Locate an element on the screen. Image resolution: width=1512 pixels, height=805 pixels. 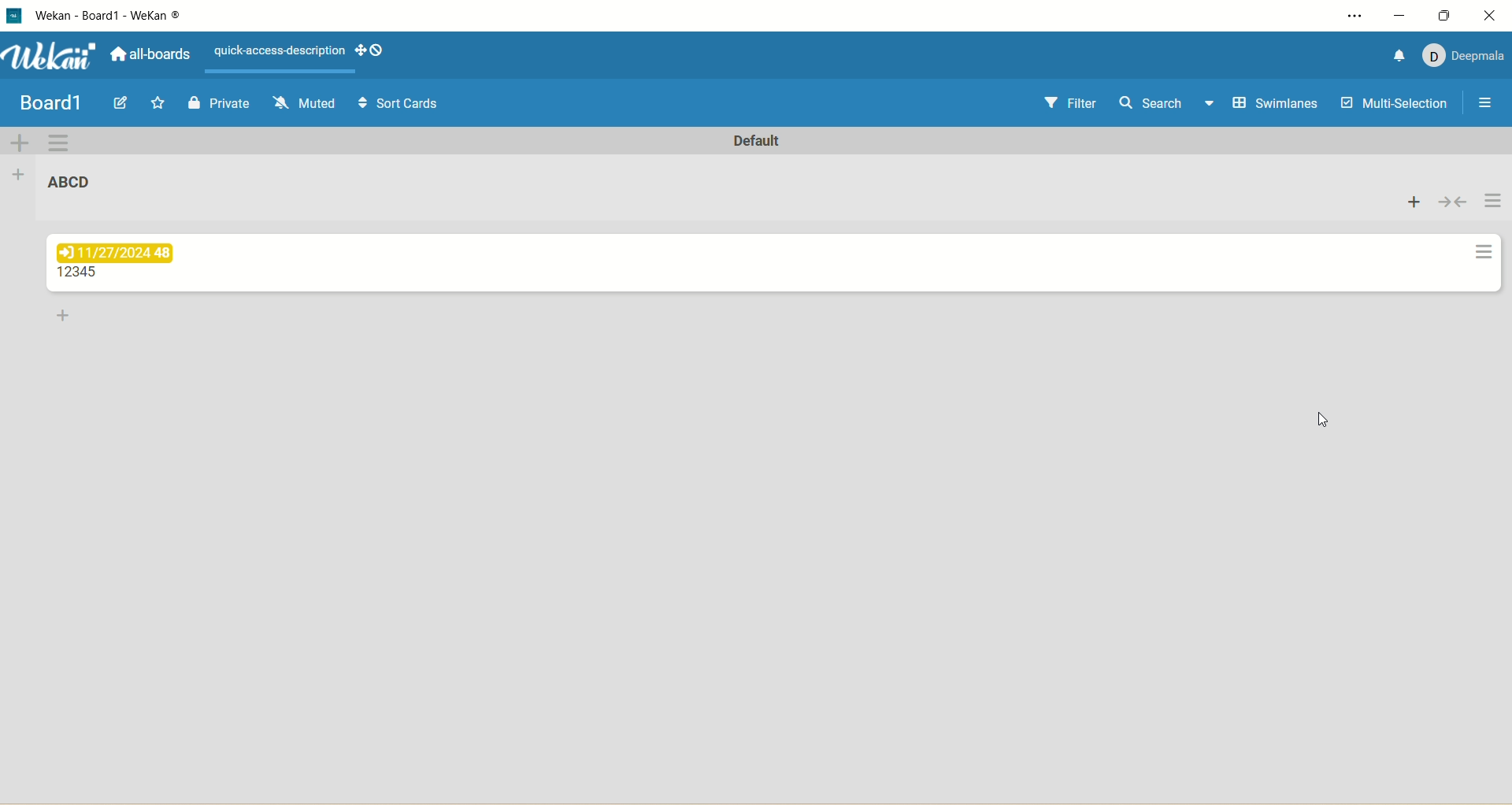
settings and more is located at coordinates (1346, 16).